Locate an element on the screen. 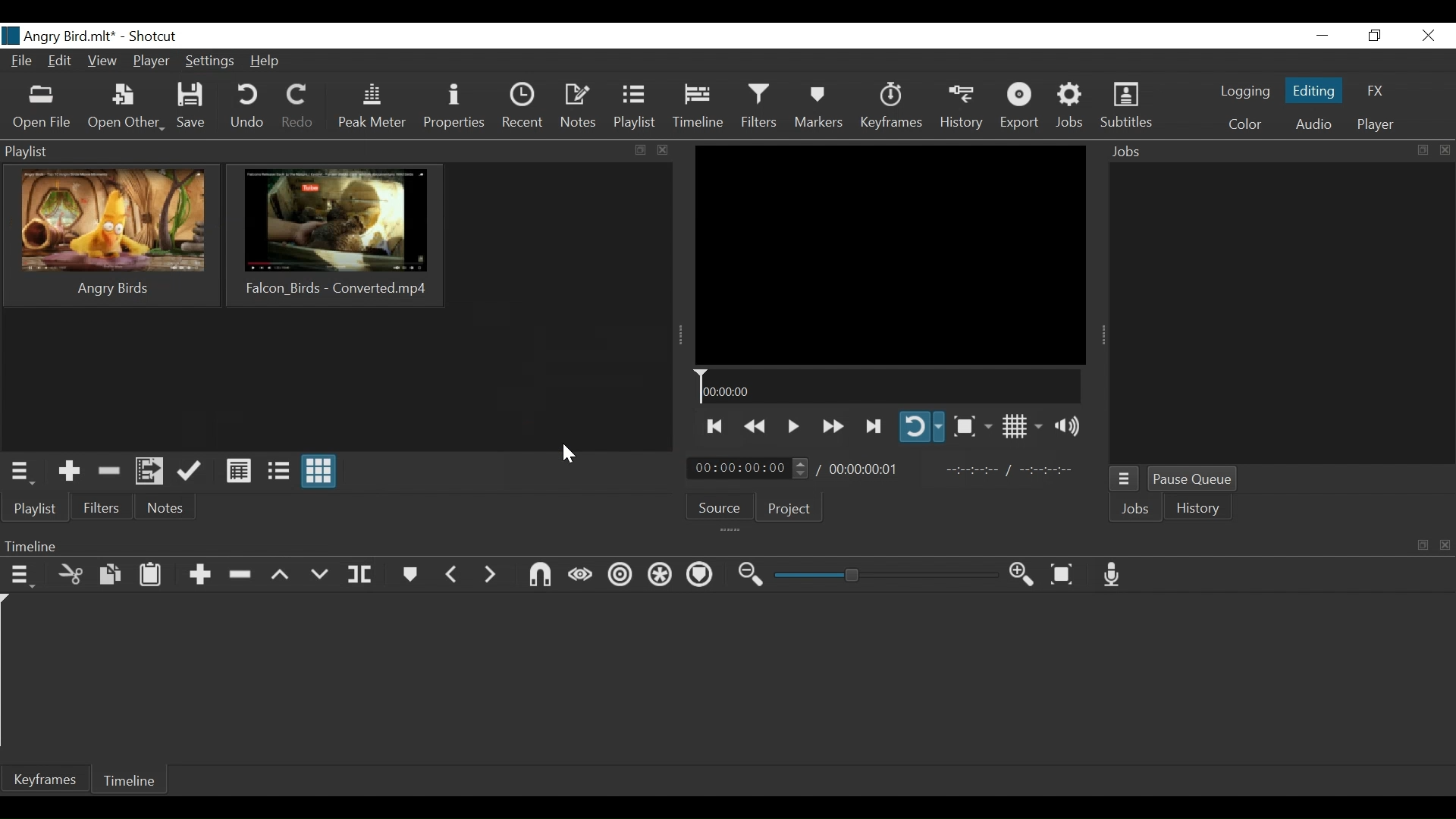  Skip to the next point is located at coordinates (714, 427).